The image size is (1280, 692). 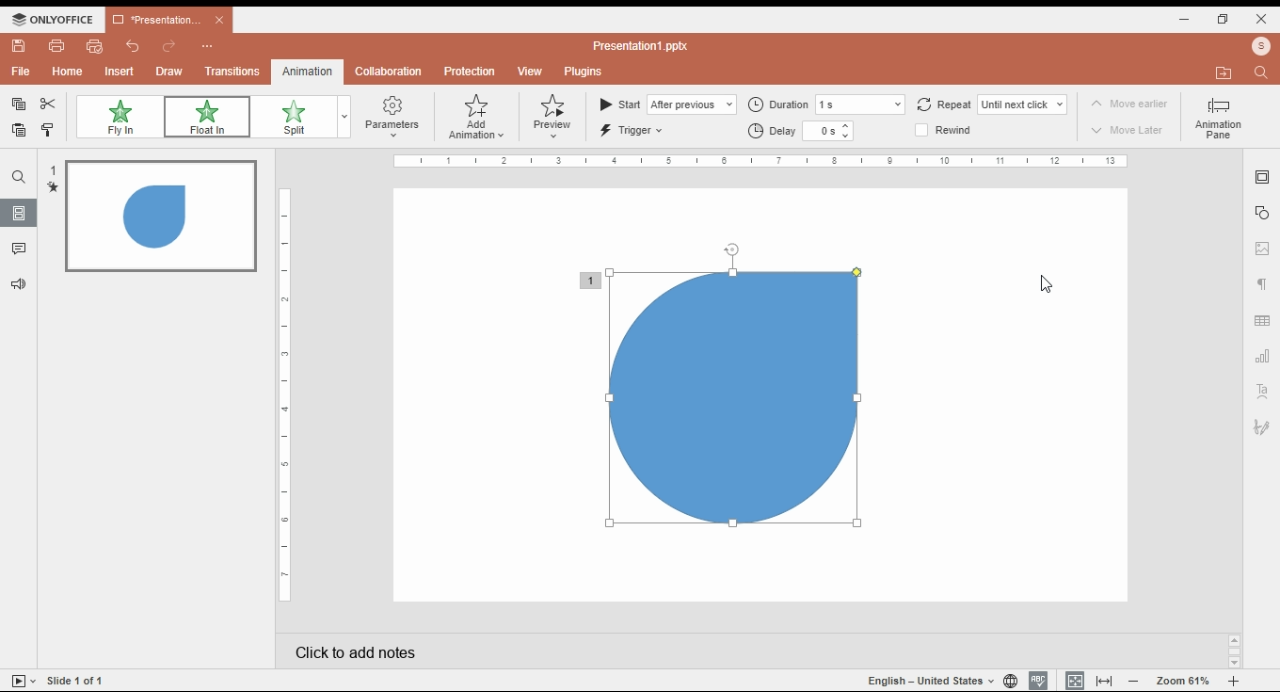 I want to click on start slide show, so click(x=24, y=680).